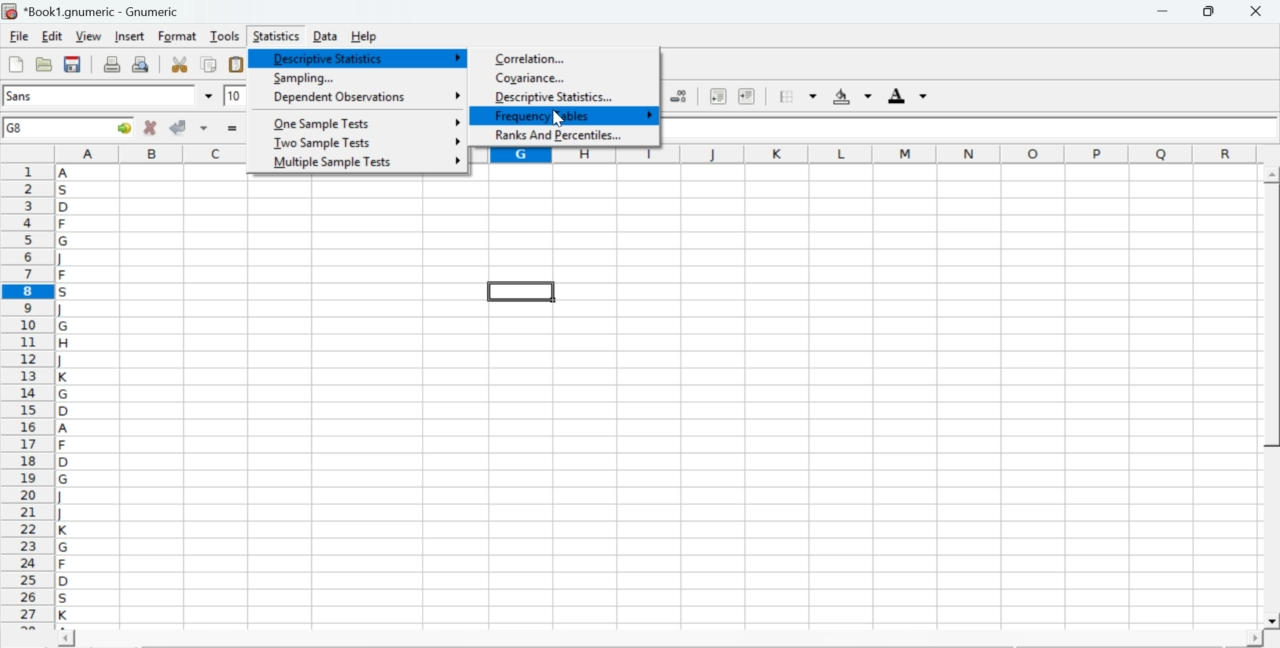 The width and height of the screenshot is (1280, 648). I want to click on increase indent, so click(746, 97).